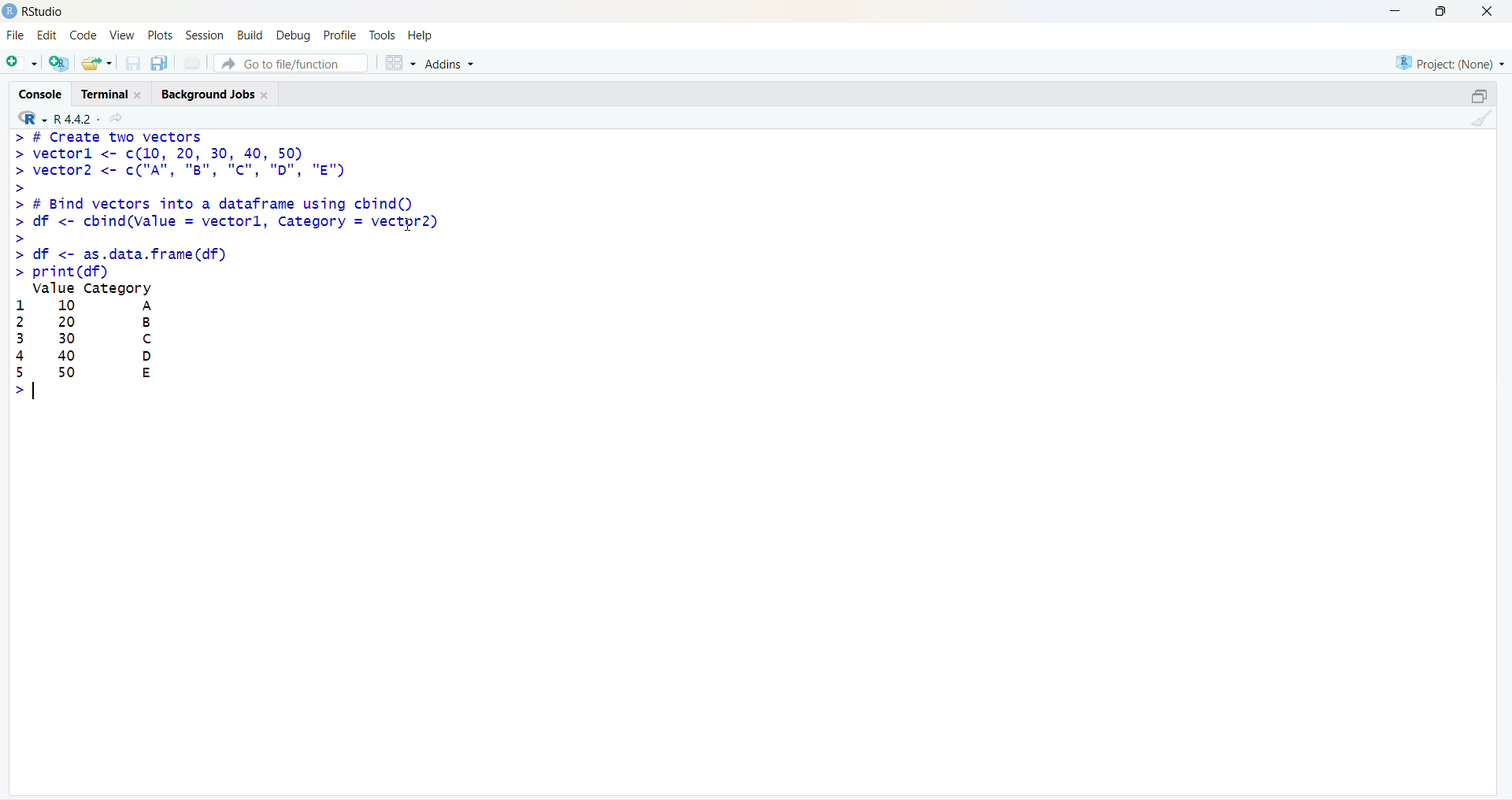 This screenshot has height=800, width=1512. What do you see at coordinates (60, 63) in the screenshot?
I see `Create project` at bounding box center [60, 63].